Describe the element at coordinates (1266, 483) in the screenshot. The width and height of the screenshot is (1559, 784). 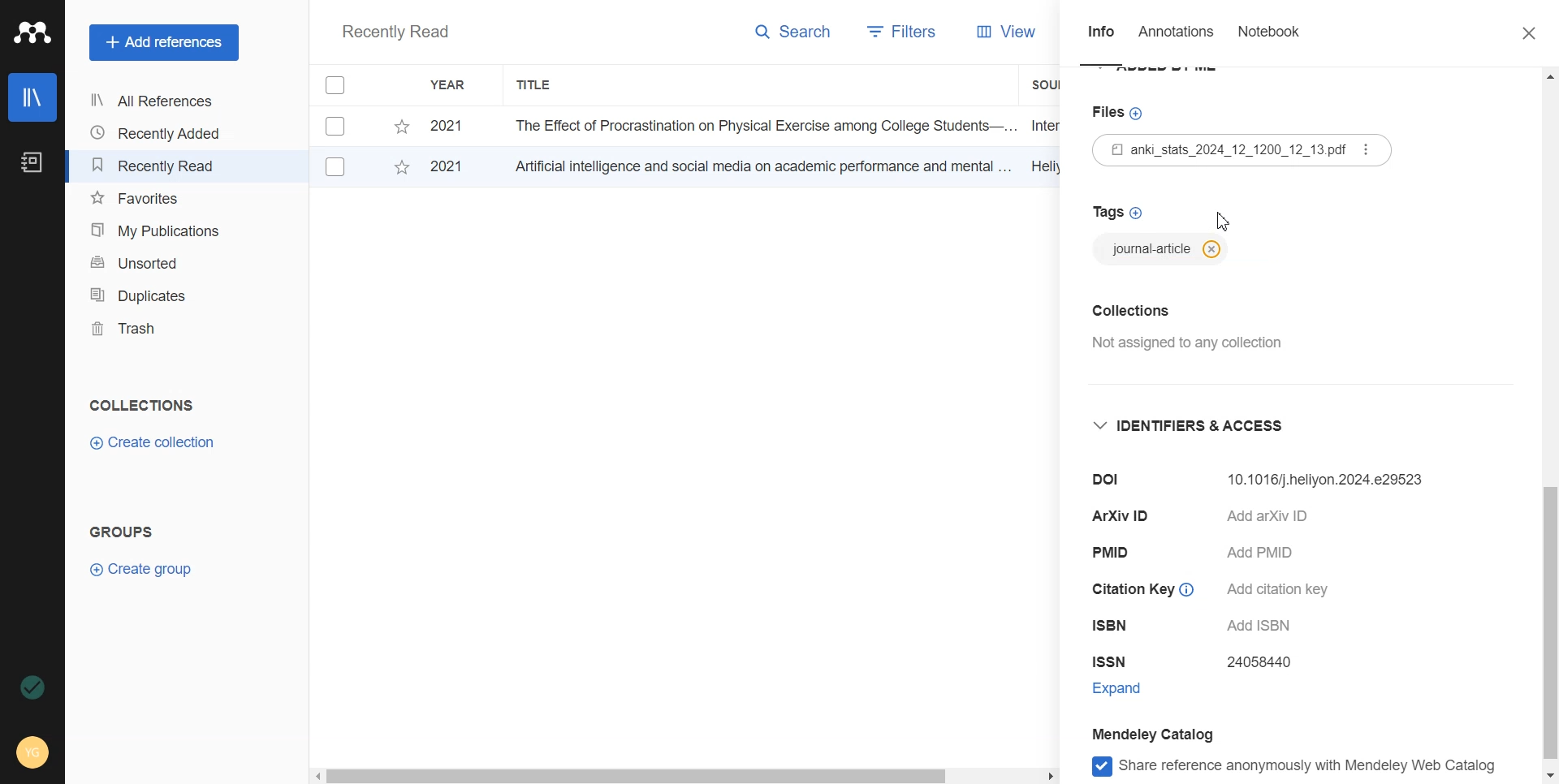
I see `Dol 10.32604/ijmhp.2024.e29523` at that location.